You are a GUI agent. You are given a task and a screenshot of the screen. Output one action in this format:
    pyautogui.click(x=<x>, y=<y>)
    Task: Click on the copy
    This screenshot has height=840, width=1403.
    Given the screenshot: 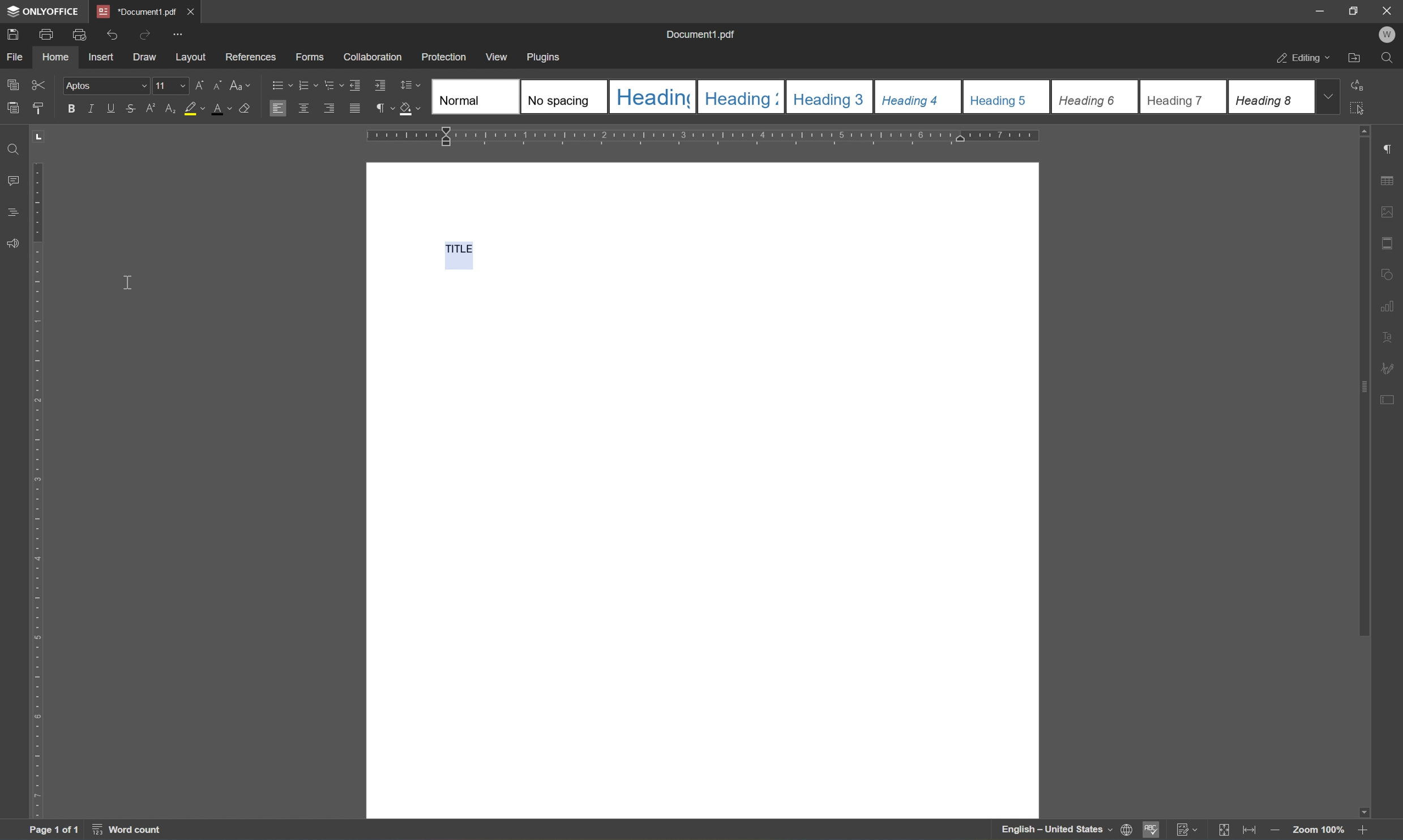 What is the action you would take?
    pyautogui.click(x=10, y=85)
    